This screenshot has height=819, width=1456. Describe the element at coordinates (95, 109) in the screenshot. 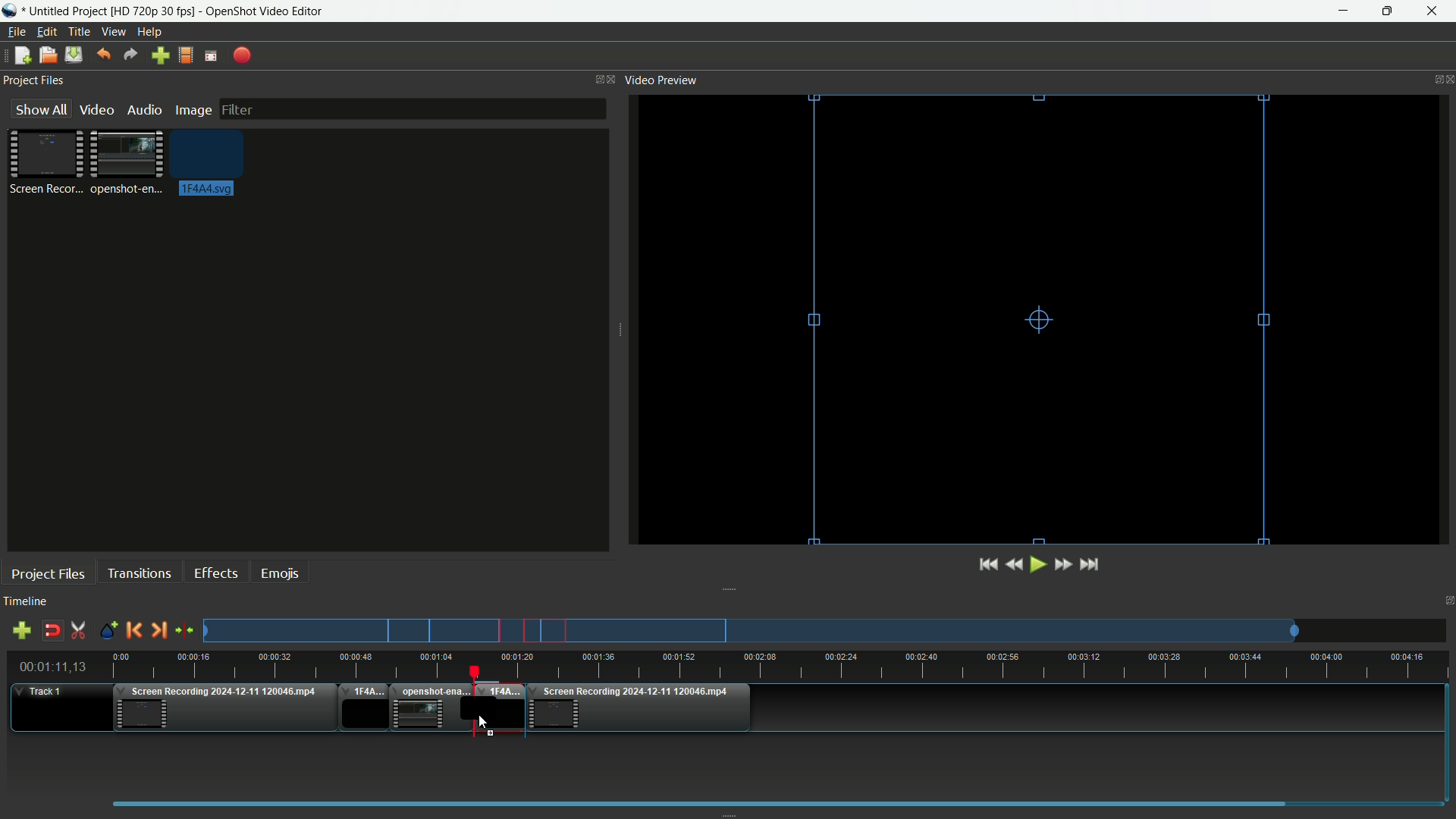

I see `Video` at that location.